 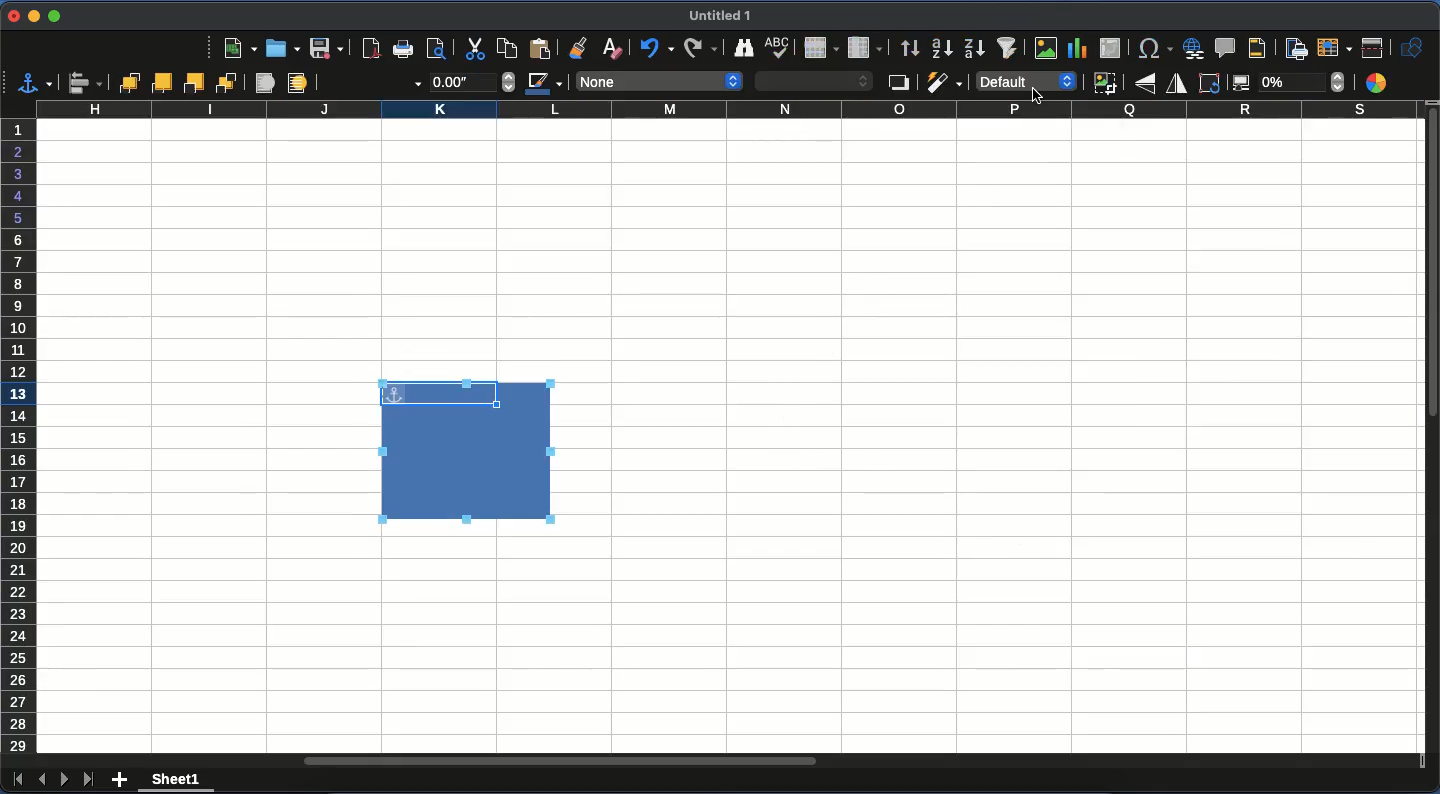 What do you see at coordinates (52, 17) in the screenshot?
I see `maximize` at bounding box center [52, 17].